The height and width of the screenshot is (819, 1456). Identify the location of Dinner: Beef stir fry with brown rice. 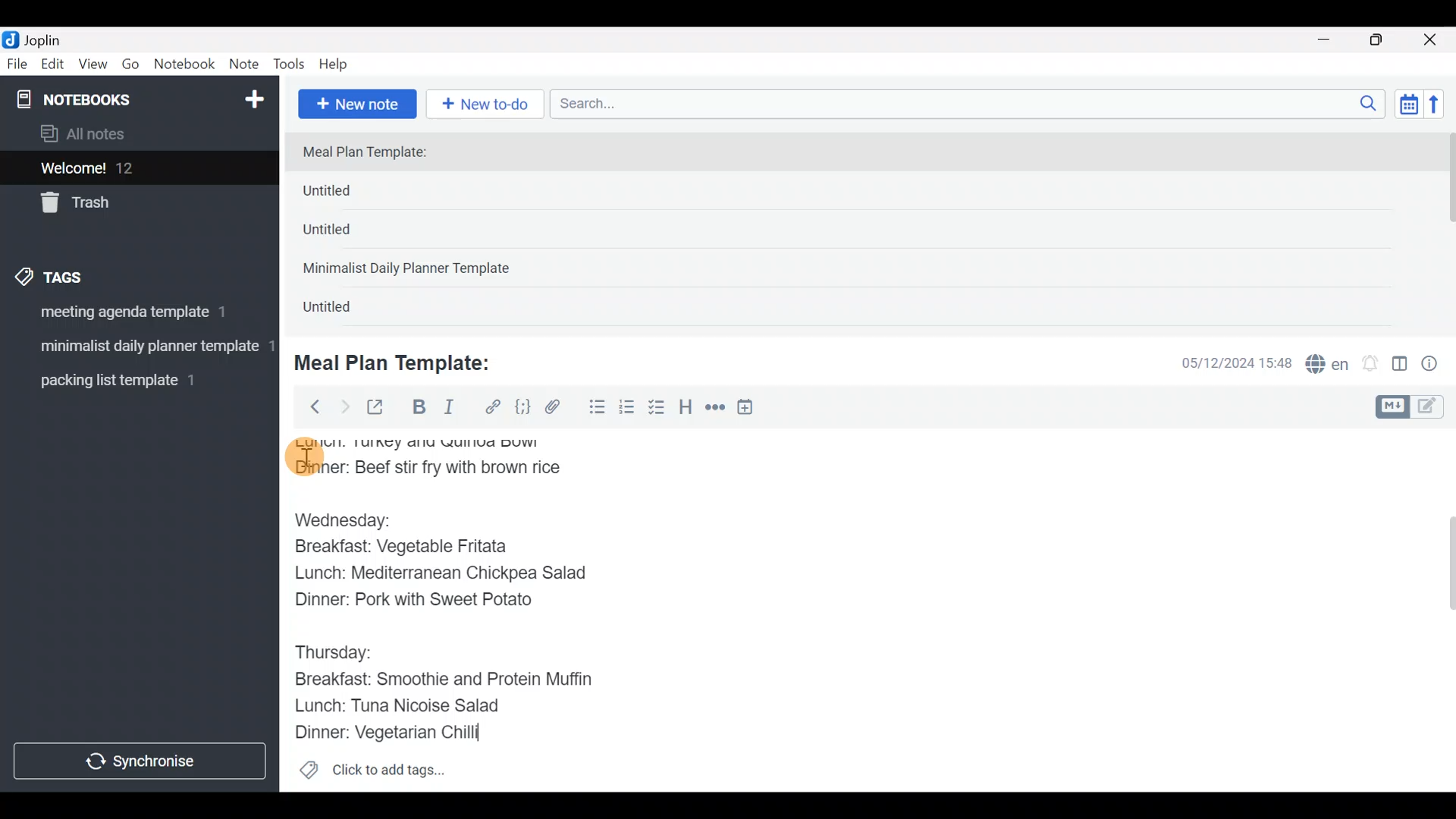
(428, 466).